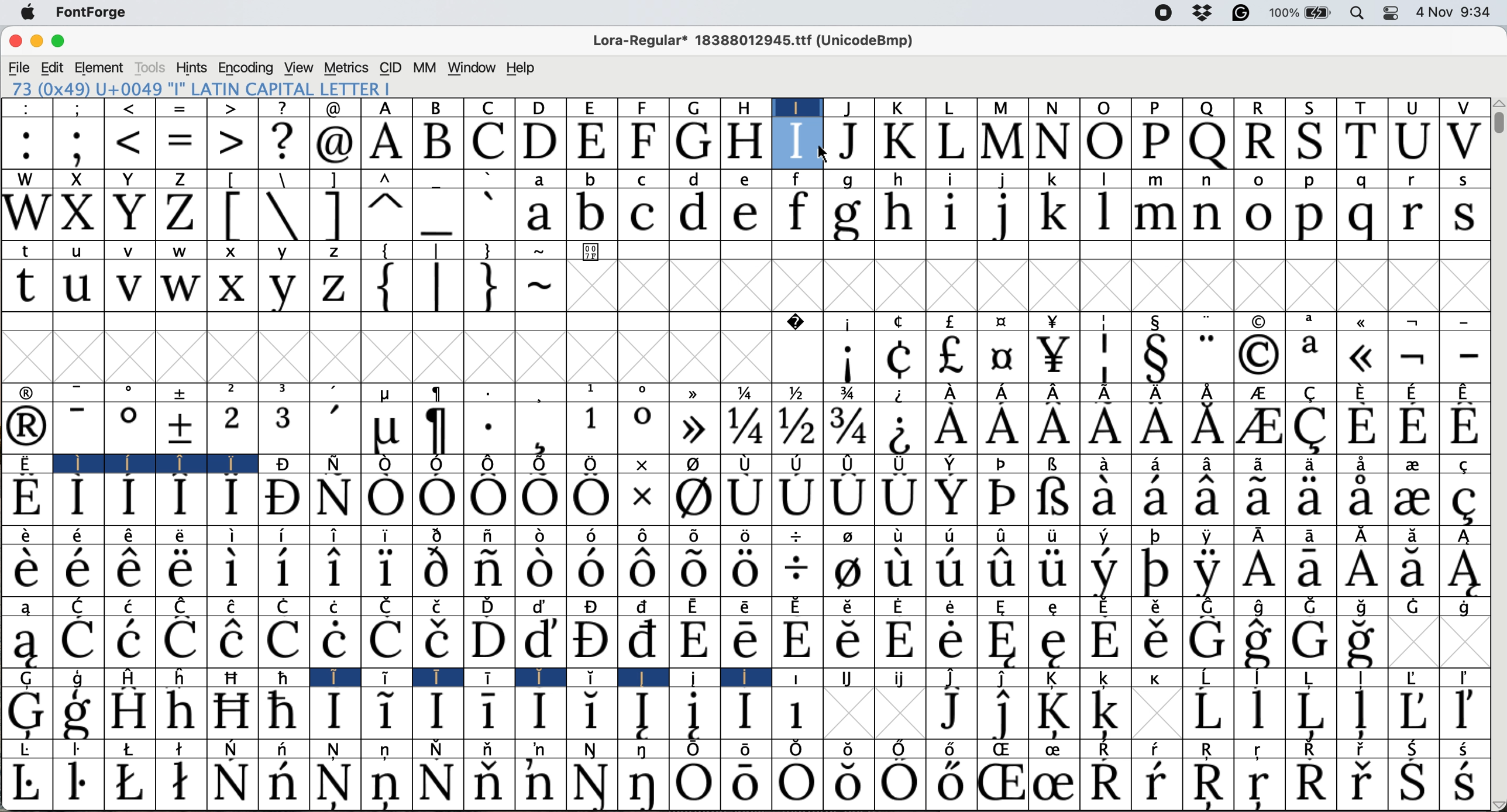 The image size is (1507, 812). I want to click on h, so click(900, 214).